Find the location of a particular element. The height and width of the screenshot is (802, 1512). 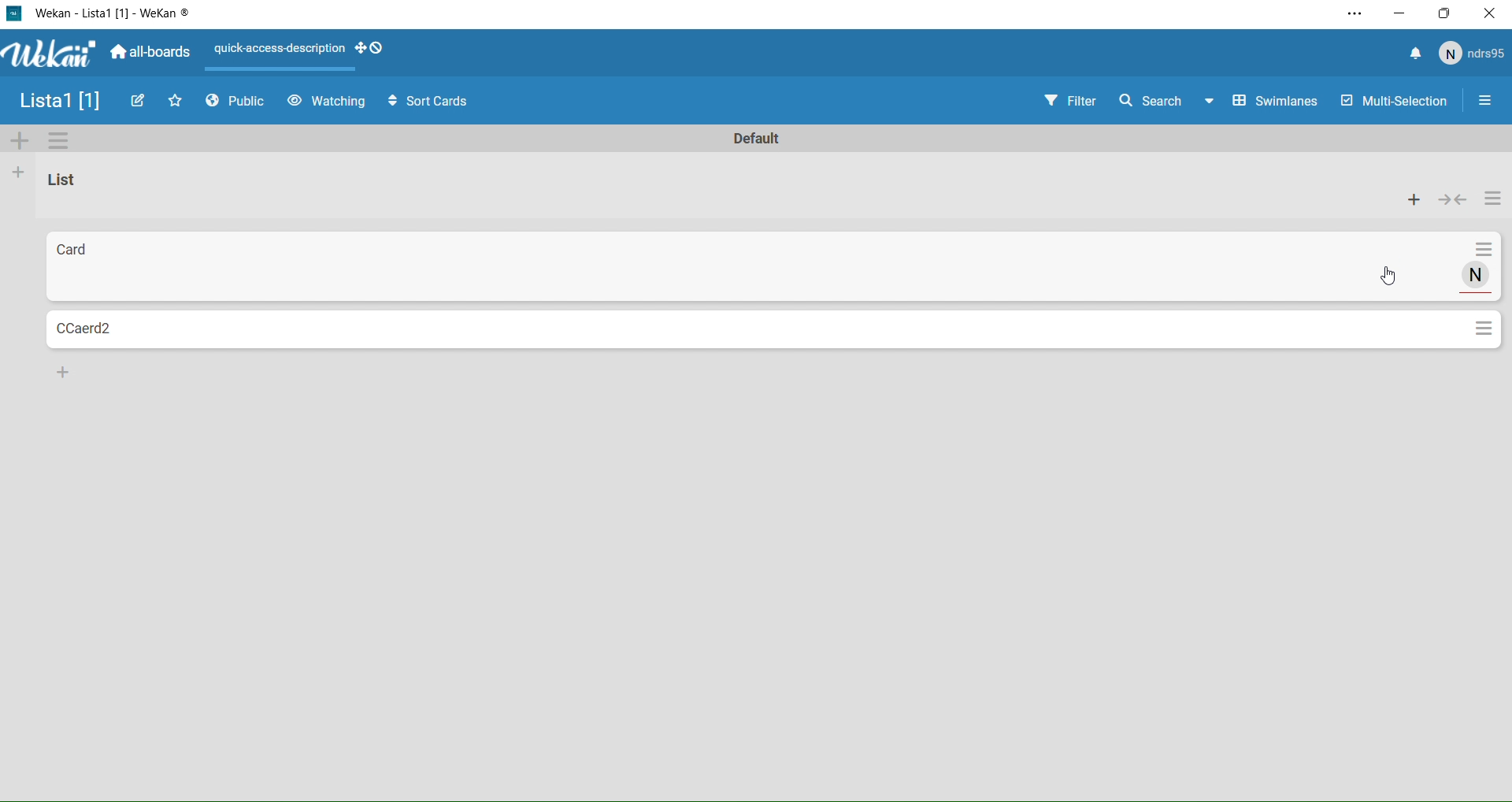

drag handles is located at coordinates (368, 51).